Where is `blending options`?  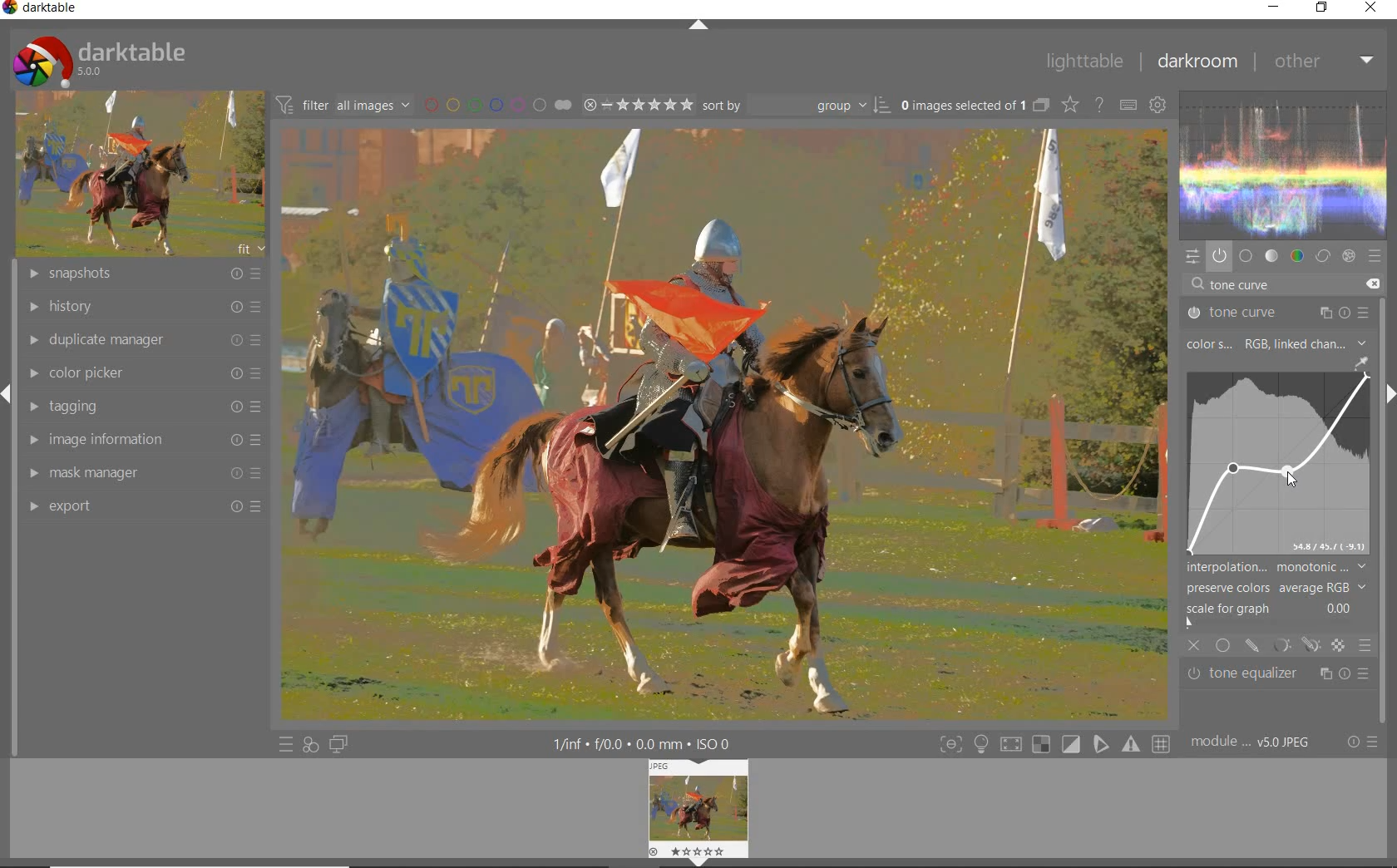 blending options is located at coordinates (1364, 644).